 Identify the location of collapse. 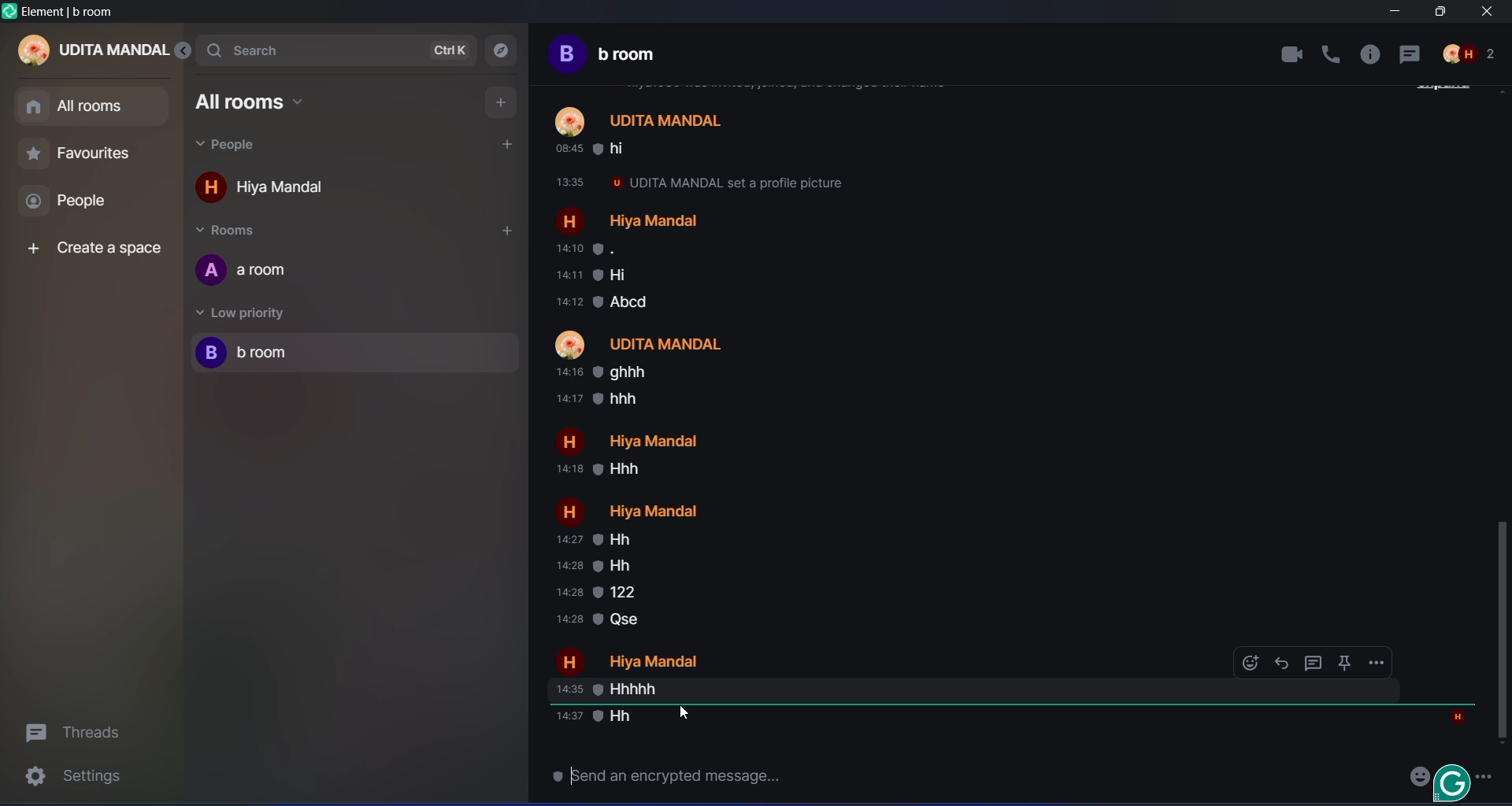
(183, 50).